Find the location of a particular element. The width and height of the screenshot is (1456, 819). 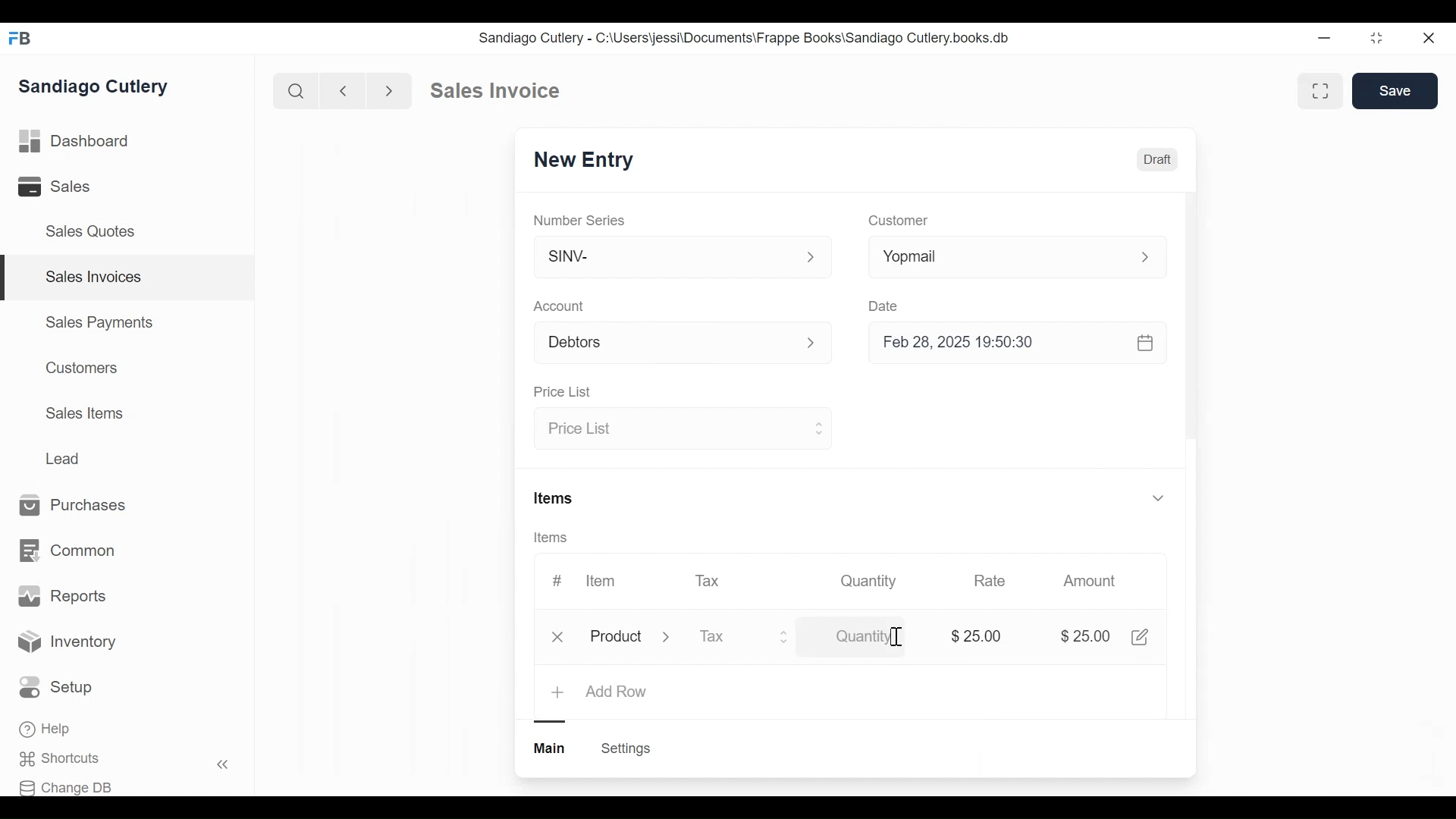

main is located at coordinates (551, 748).